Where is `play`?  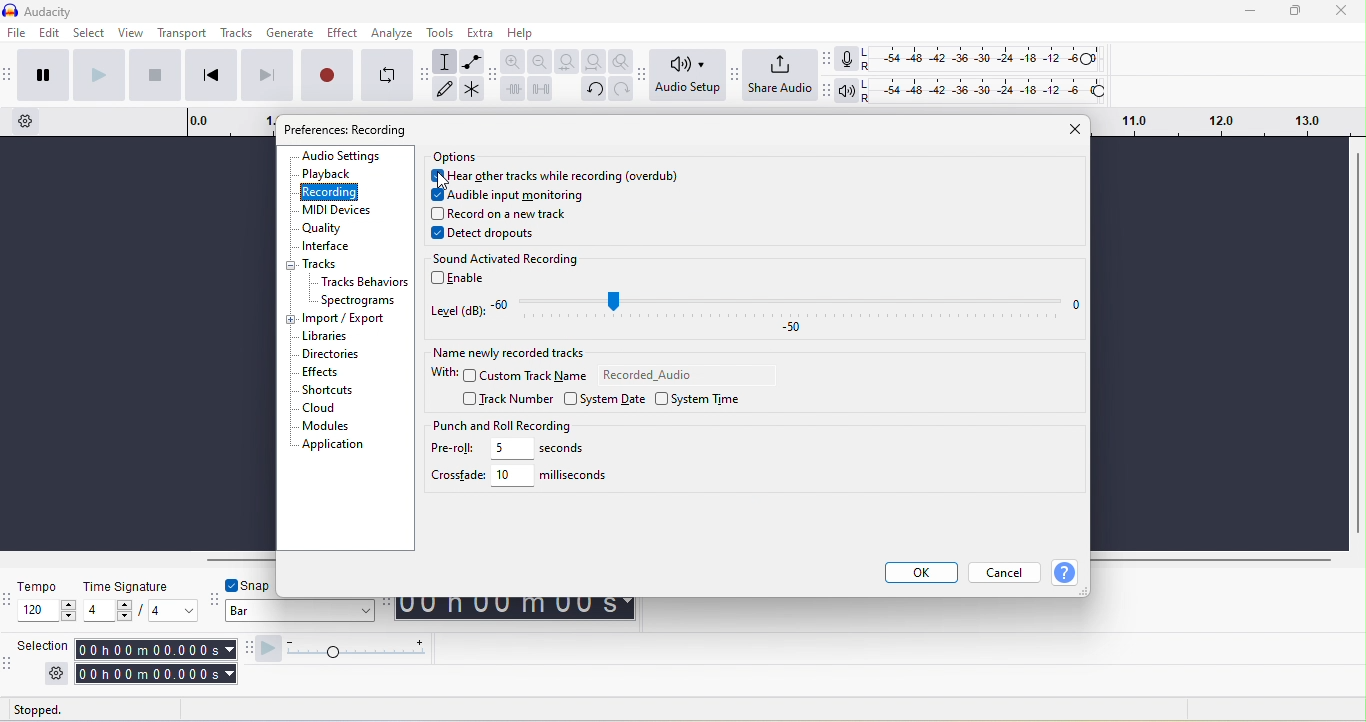
play is located at coordinates (104, 75).